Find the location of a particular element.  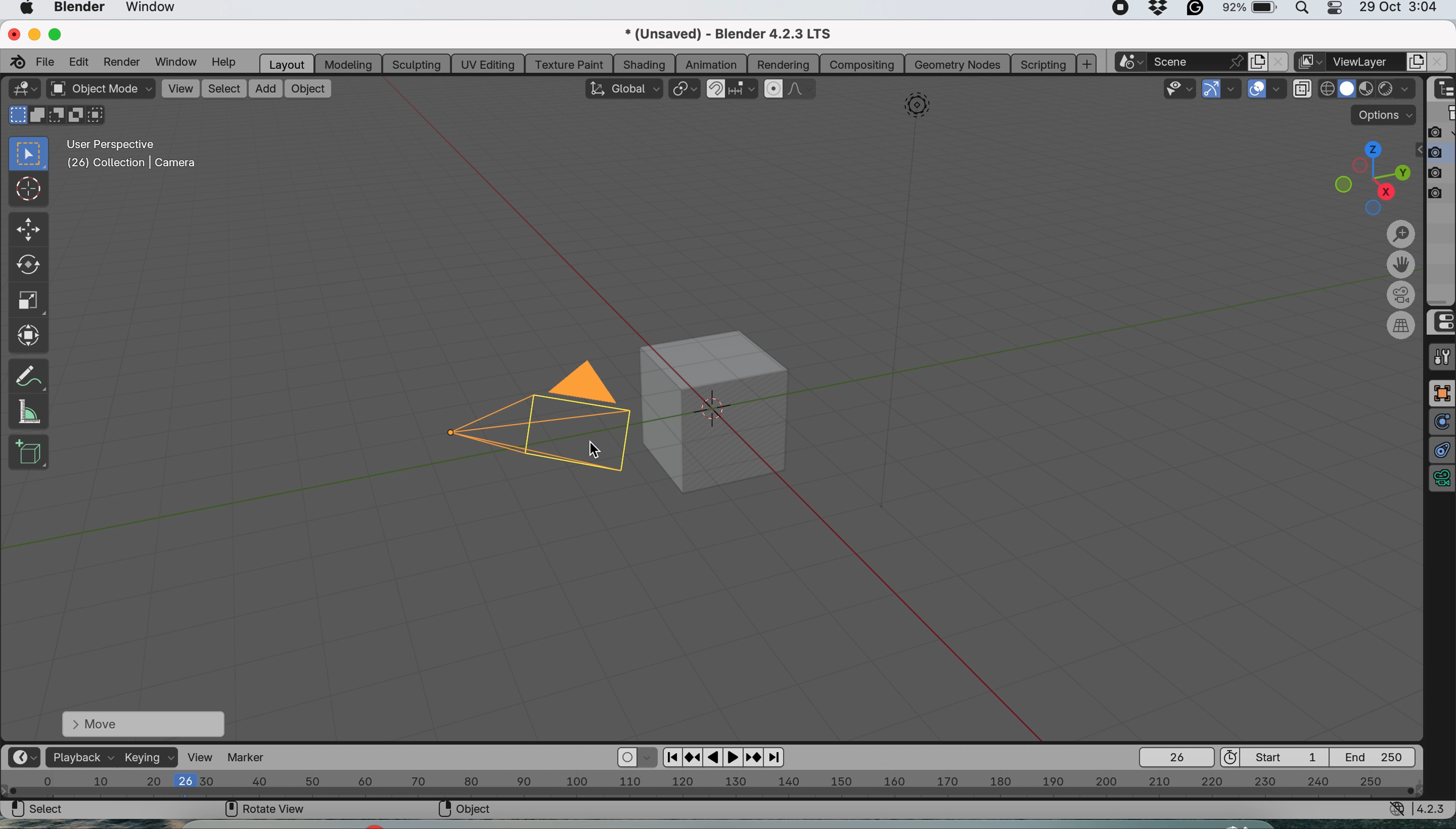

select is located at coordinates (38, 811).